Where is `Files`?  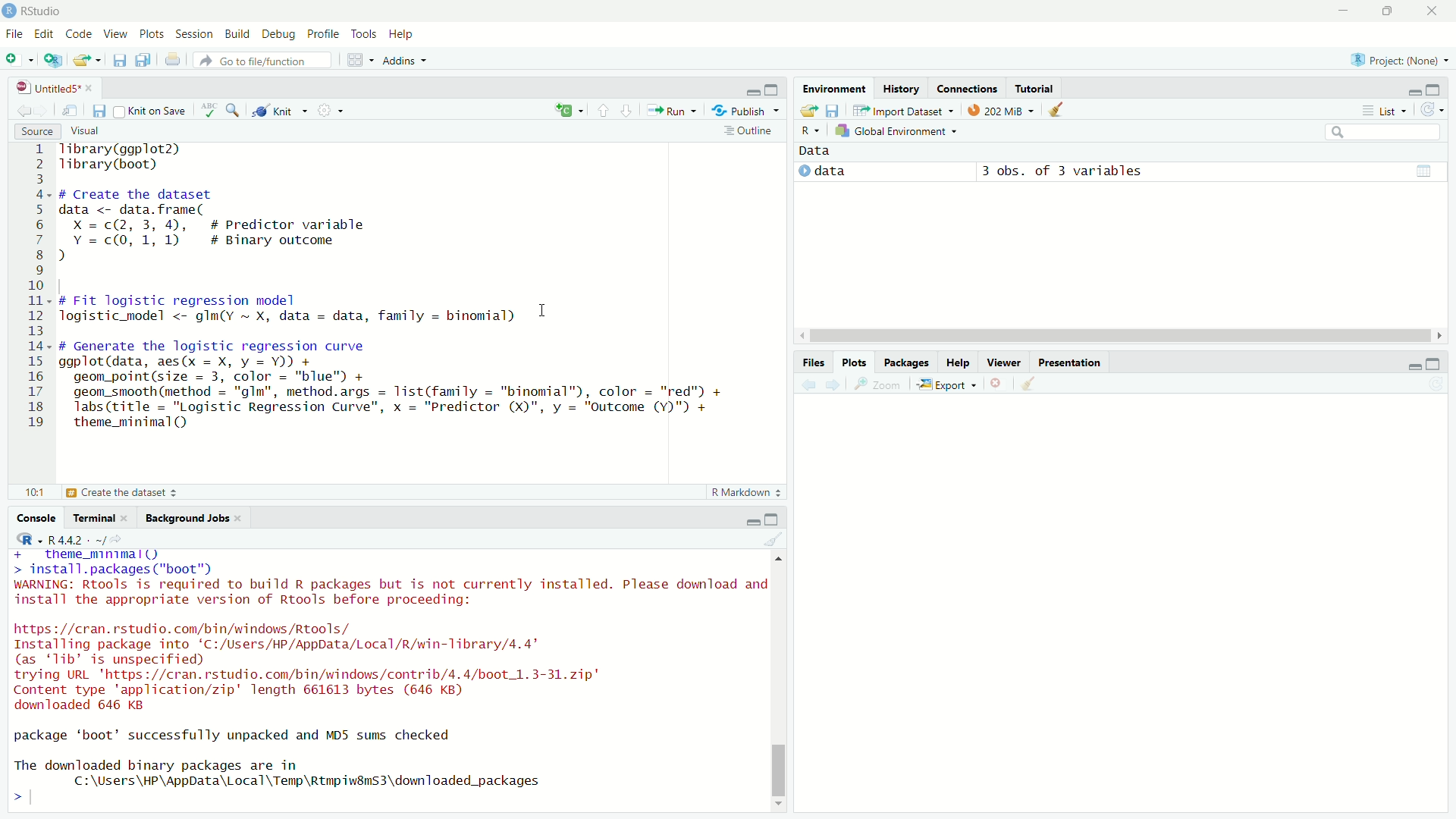
Files is located at coordinates (814, 363).